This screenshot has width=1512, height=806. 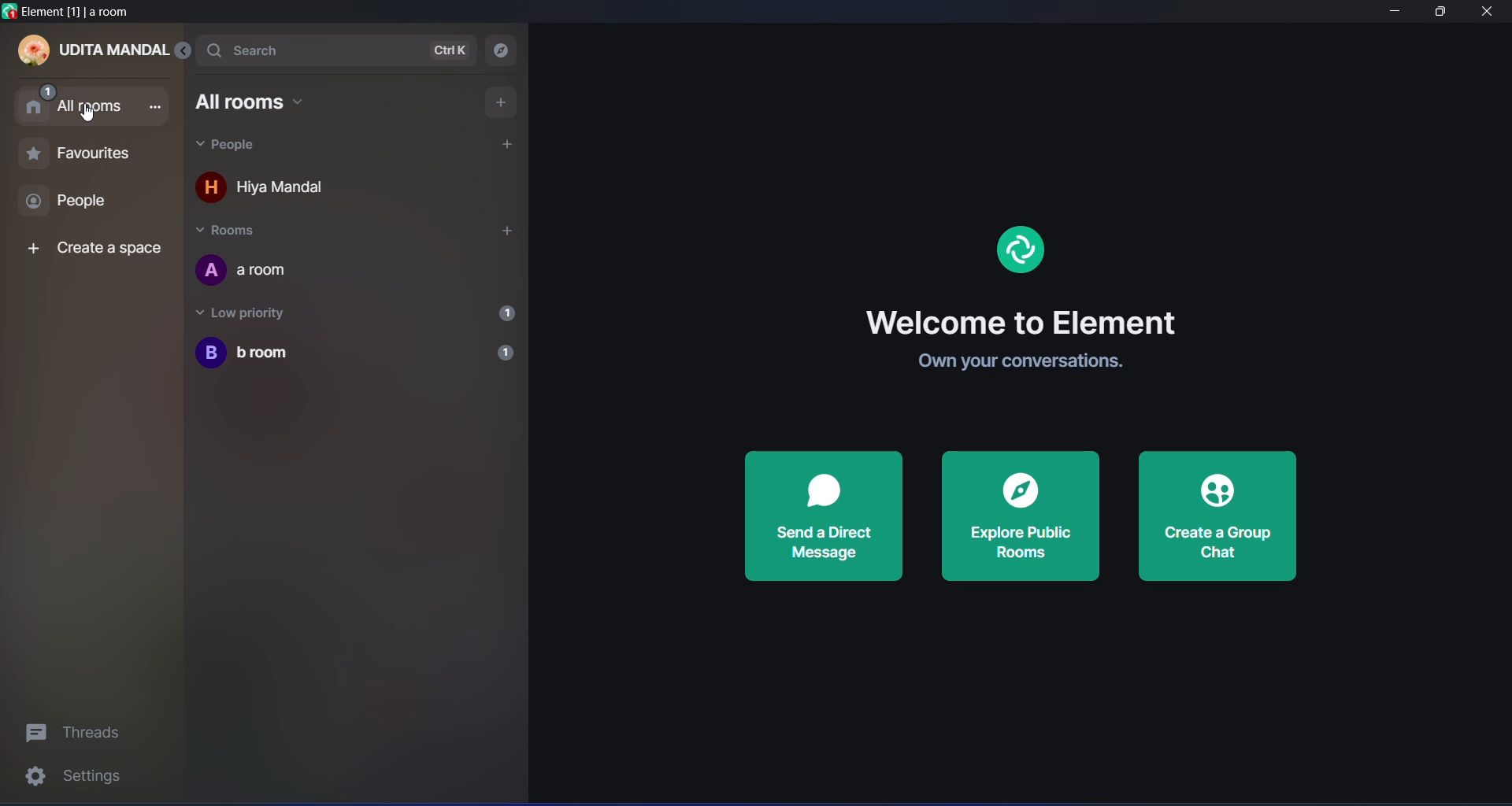 I want to click on add room, so click(x=504, y=232).